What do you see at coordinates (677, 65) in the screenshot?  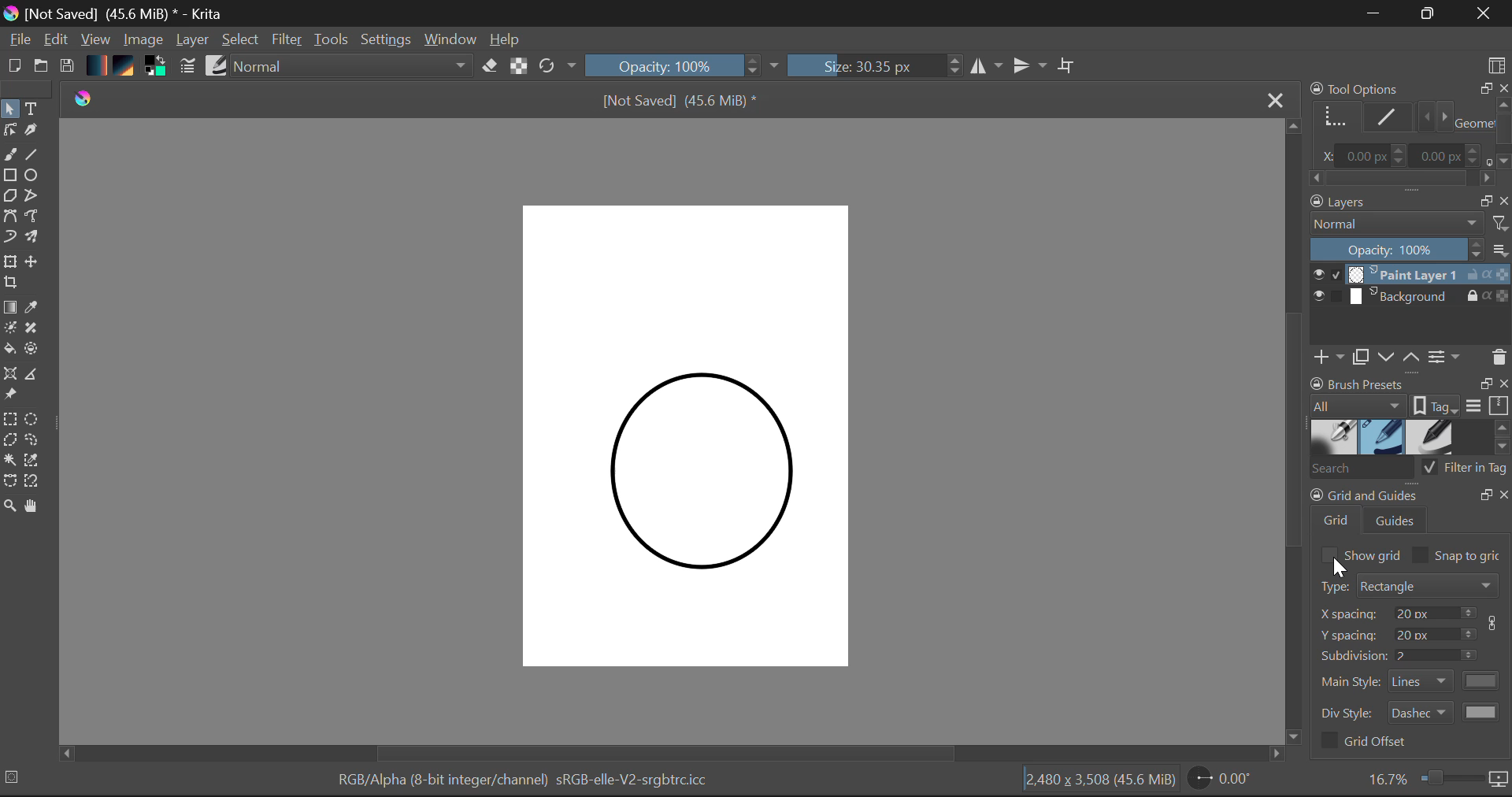 I see `Brush Stroke Opacity` at bounding box center [677, 65].